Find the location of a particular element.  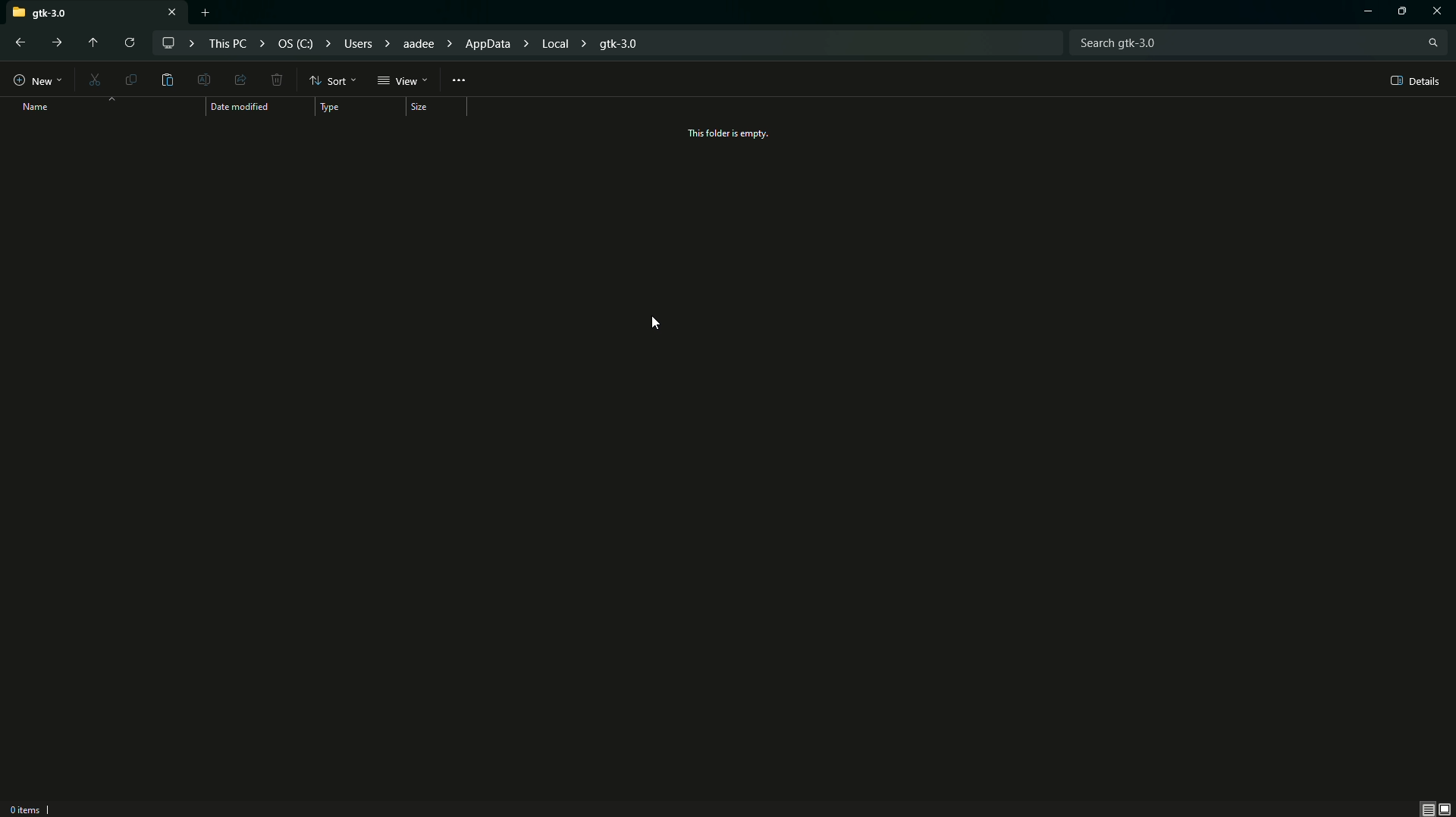

Name is located at coordinates (39, 107).